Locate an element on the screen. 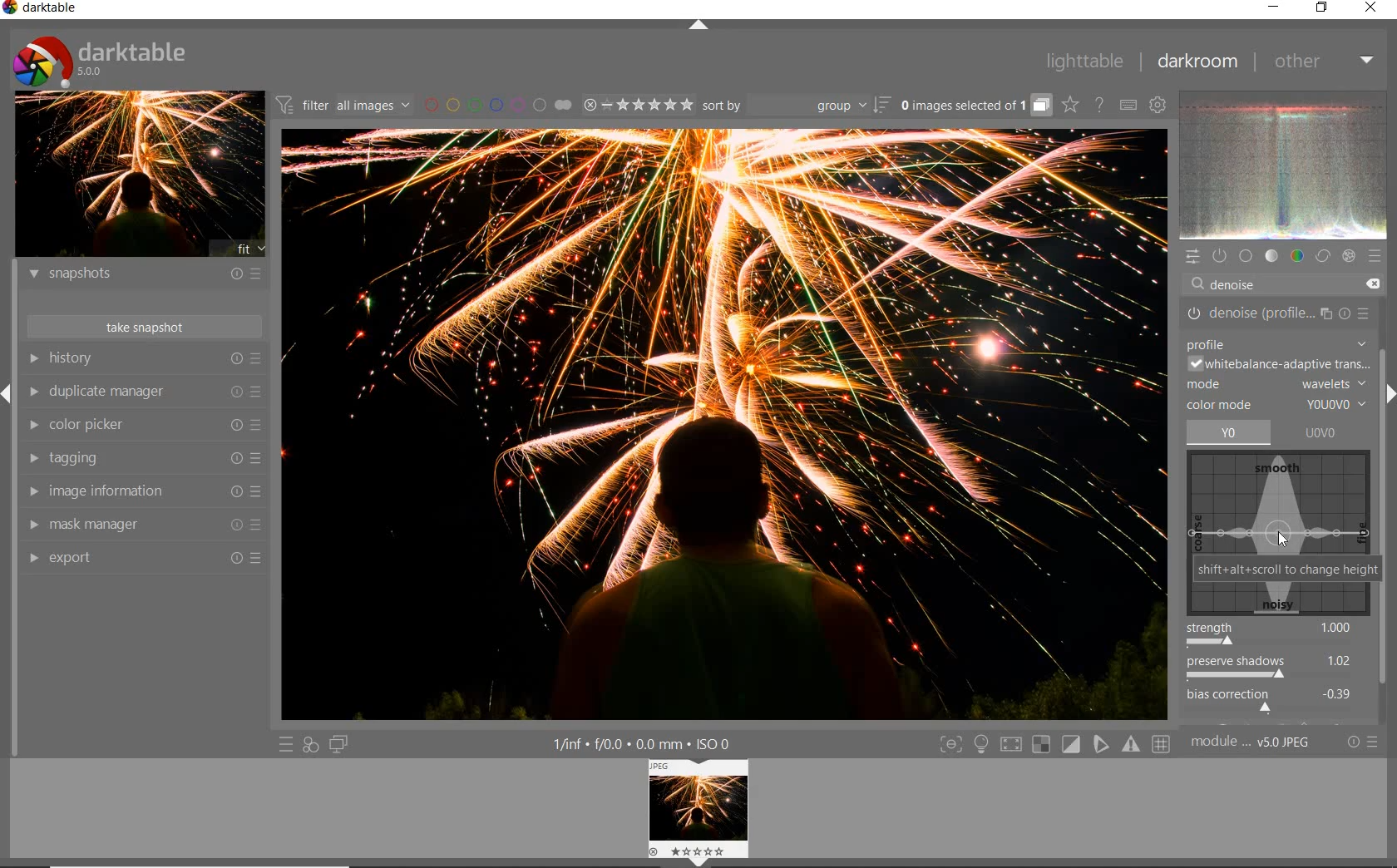 The width and height of the screenshot is (1397, 868). 1/inf*f/0.0 mm*ISO 0 is located at coordinates (653, 744).